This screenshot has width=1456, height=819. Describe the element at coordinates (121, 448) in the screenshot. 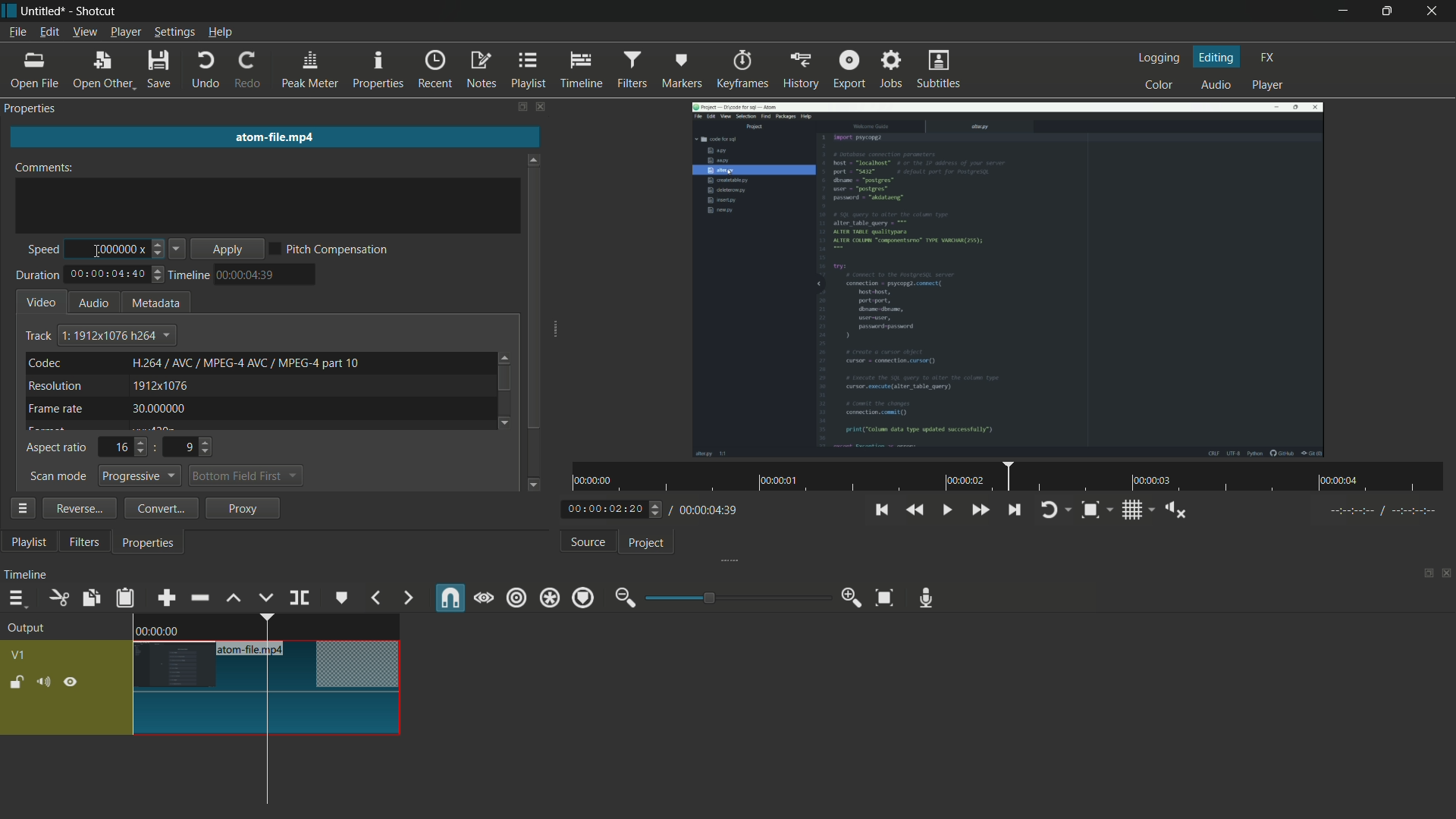

I see `16` at that location.